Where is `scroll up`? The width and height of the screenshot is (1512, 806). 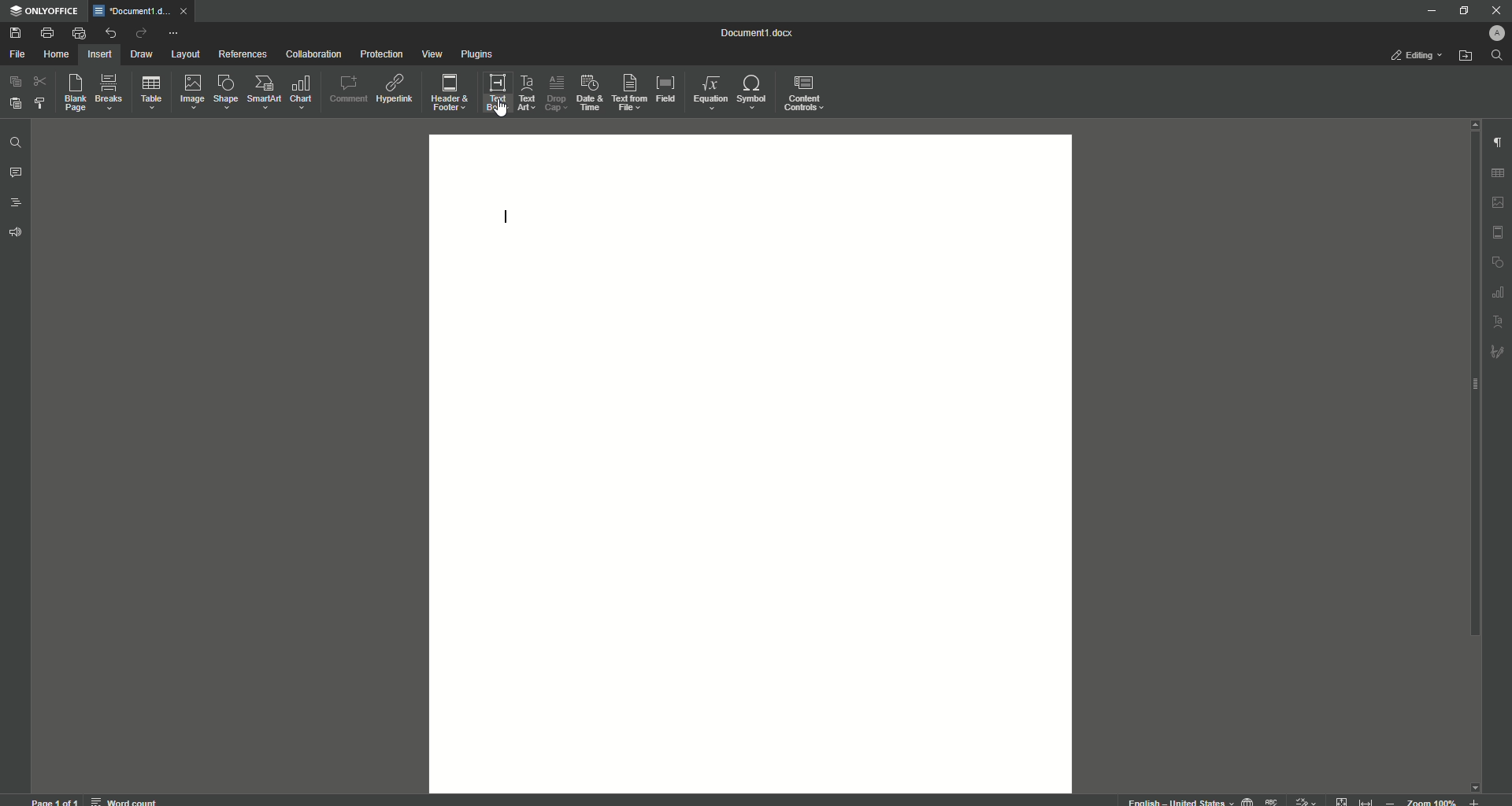 scroll up is located at coordinates (1471, 124).